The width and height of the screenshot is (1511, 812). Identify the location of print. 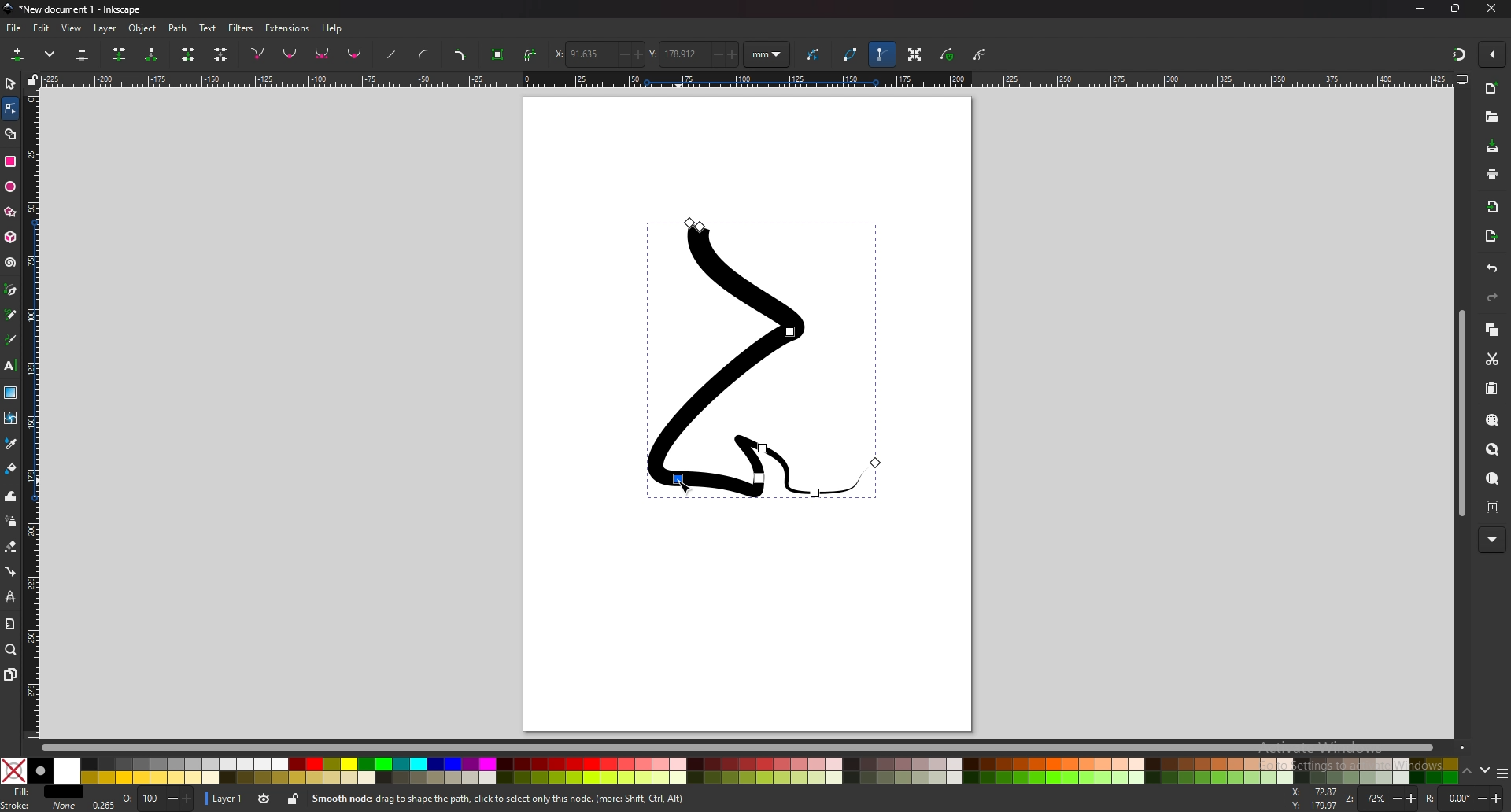
(1493, 175).